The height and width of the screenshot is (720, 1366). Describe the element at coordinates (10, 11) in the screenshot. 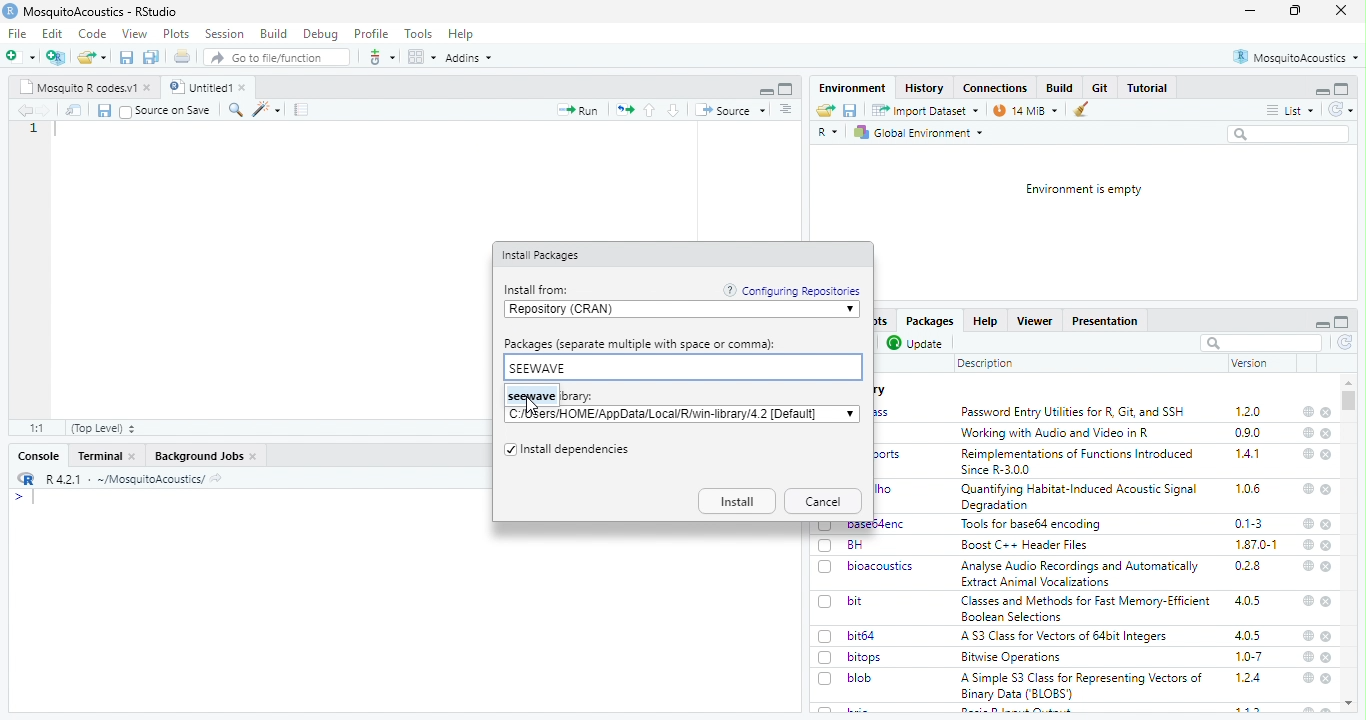

I see `logo` at that location.